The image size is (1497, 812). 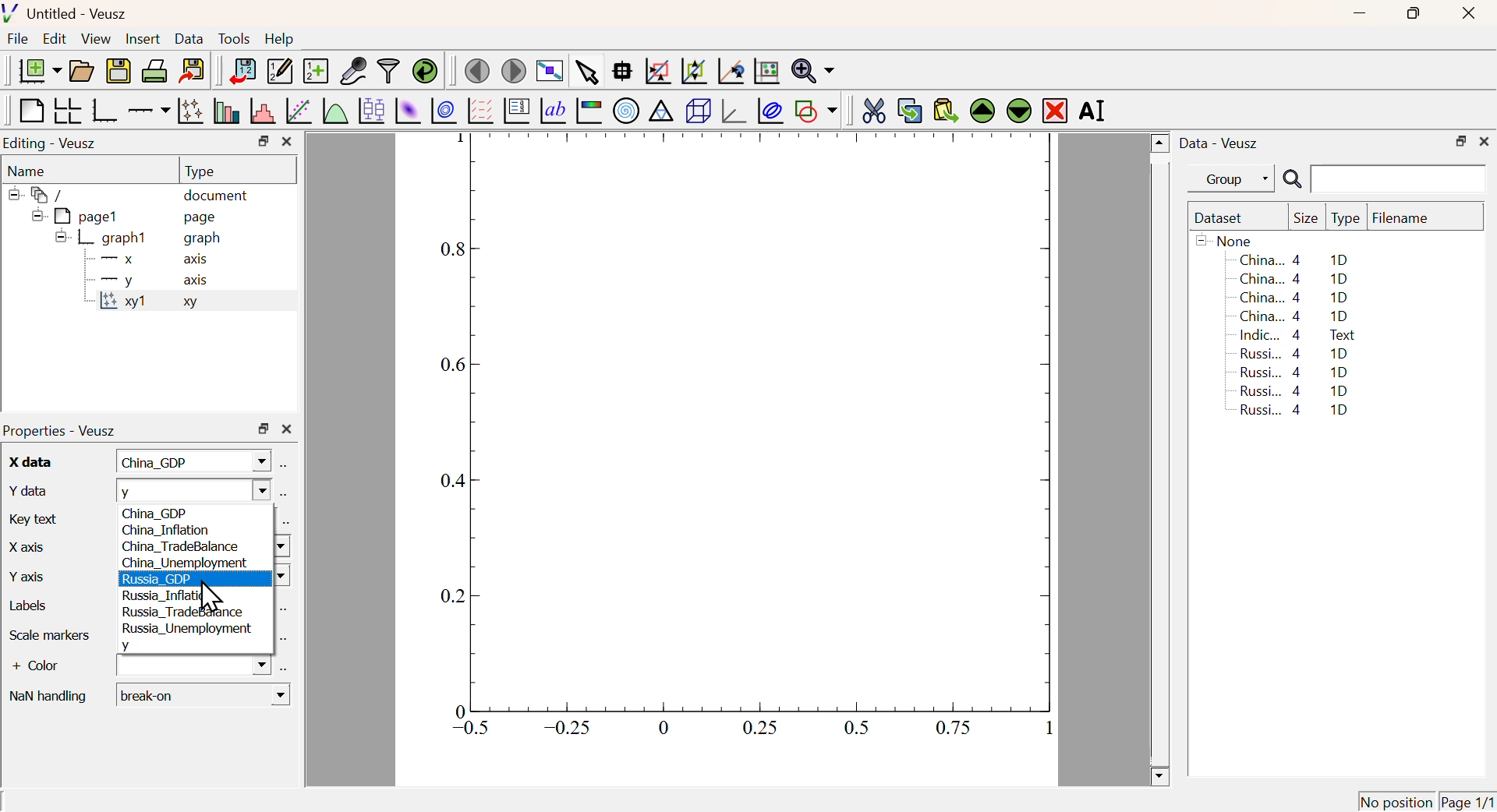 What do you see at coordinates (1485, 139) in the screenshot?
I see `Close` at bounding box center [1485, 139].